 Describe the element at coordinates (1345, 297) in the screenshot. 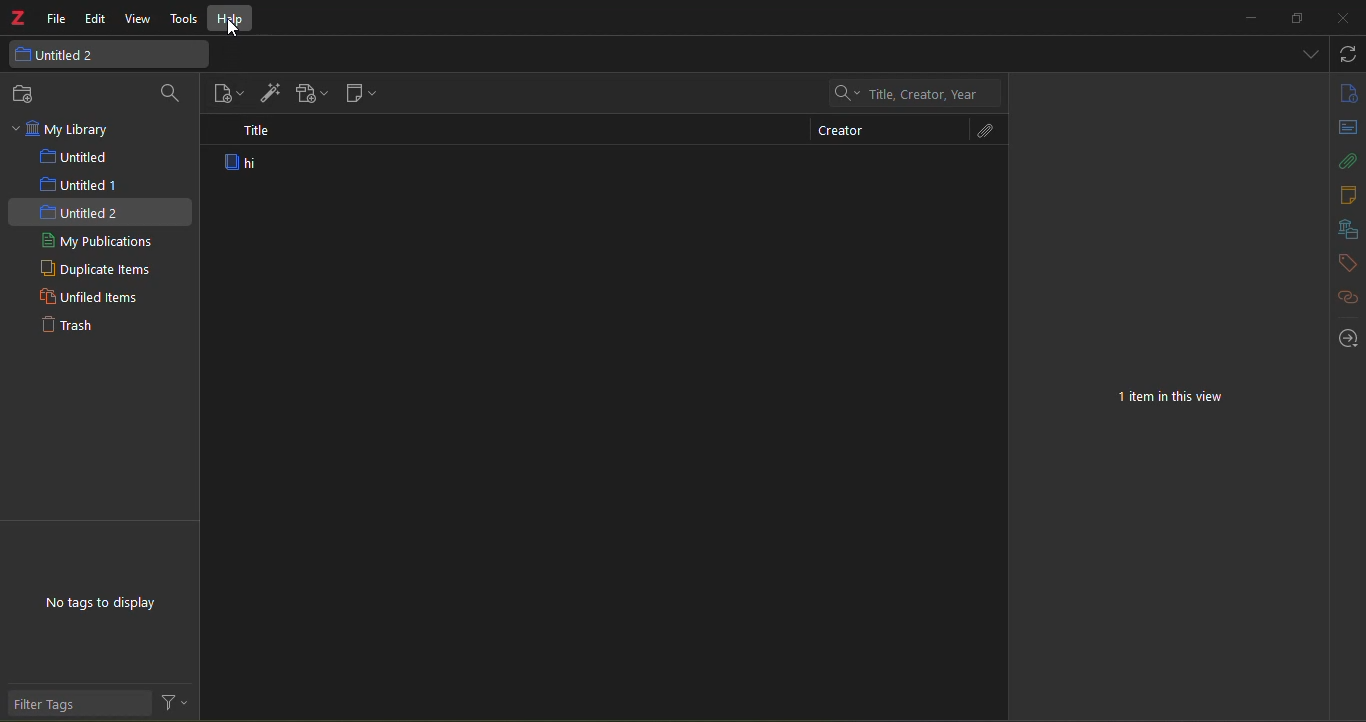

I see `related` at that location.